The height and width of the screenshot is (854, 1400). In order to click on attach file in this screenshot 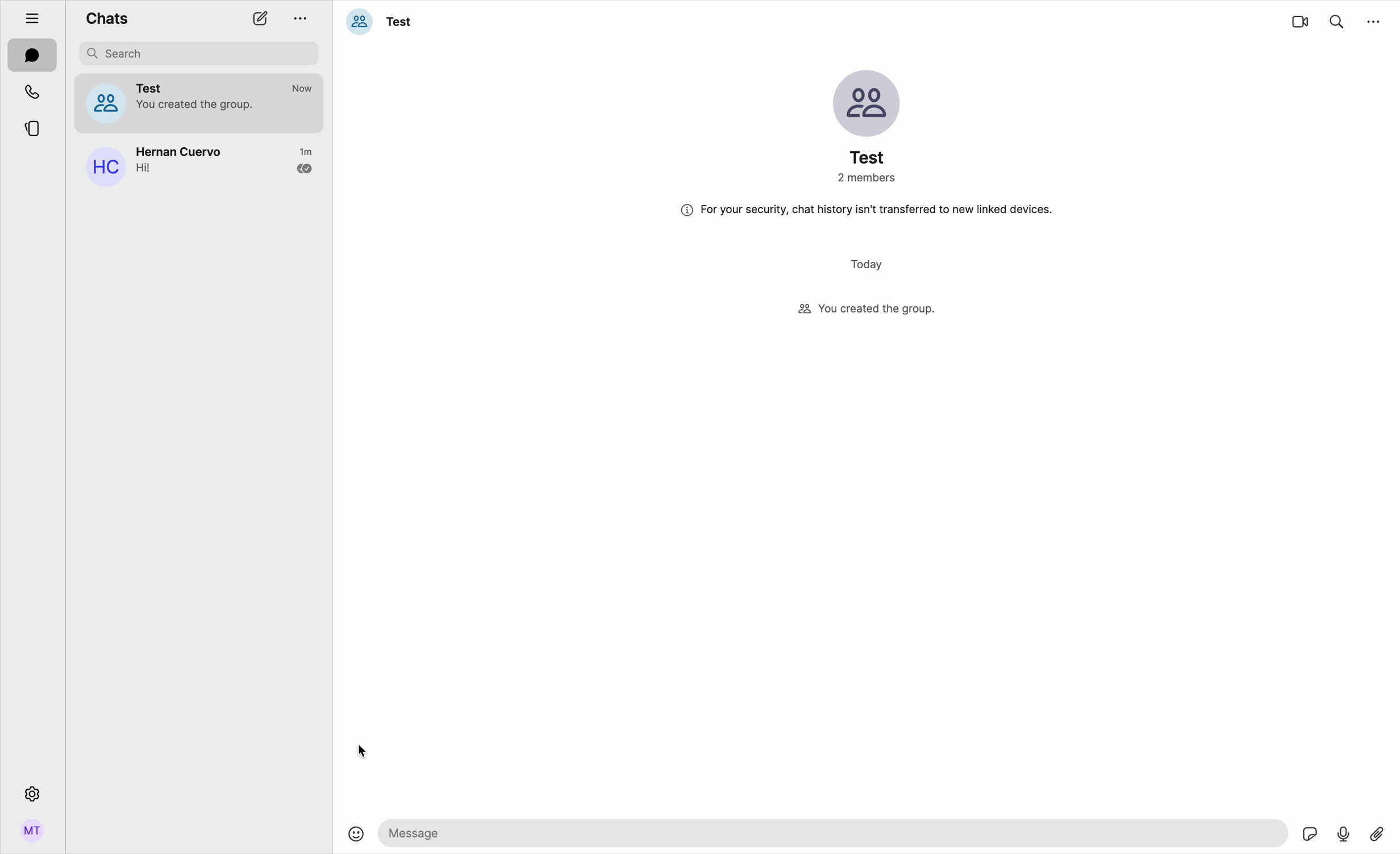, I will do `click(1379, 832)`.